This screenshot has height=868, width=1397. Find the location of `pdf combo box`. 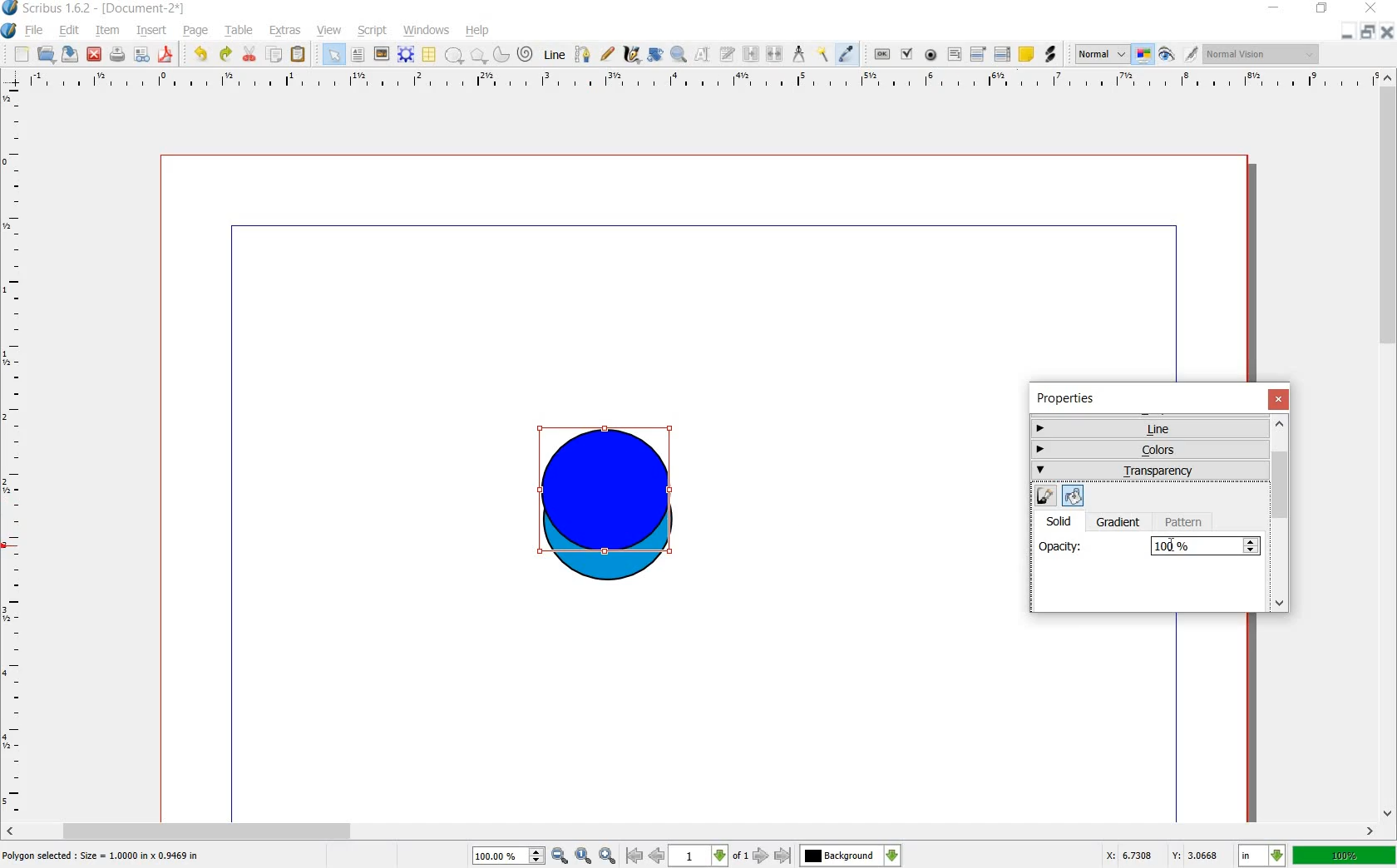

pdf combo box is located at coordinates (977, 54).